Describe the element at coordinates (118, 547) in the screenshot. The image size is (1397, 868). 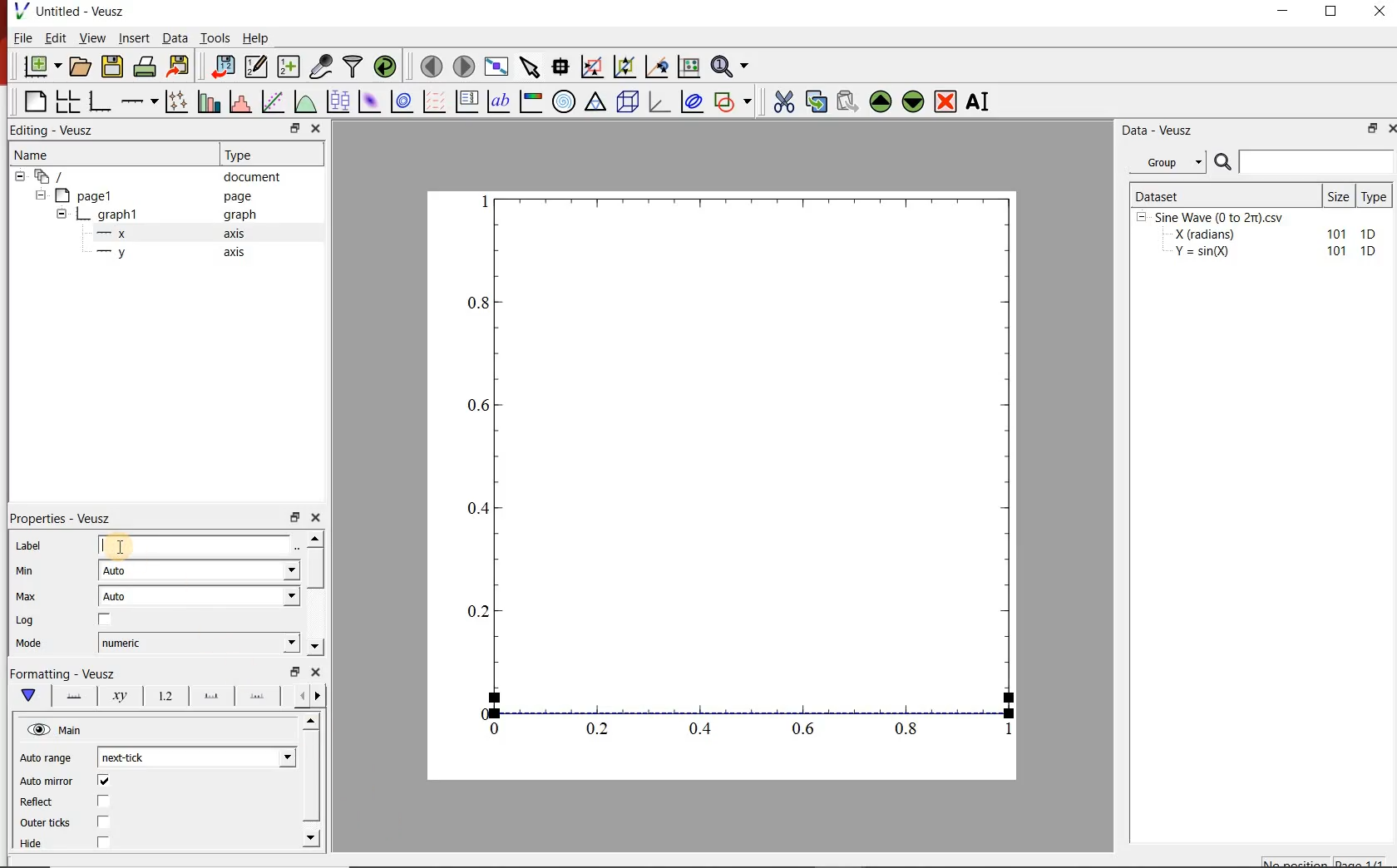
I see `Cursor` at that location.